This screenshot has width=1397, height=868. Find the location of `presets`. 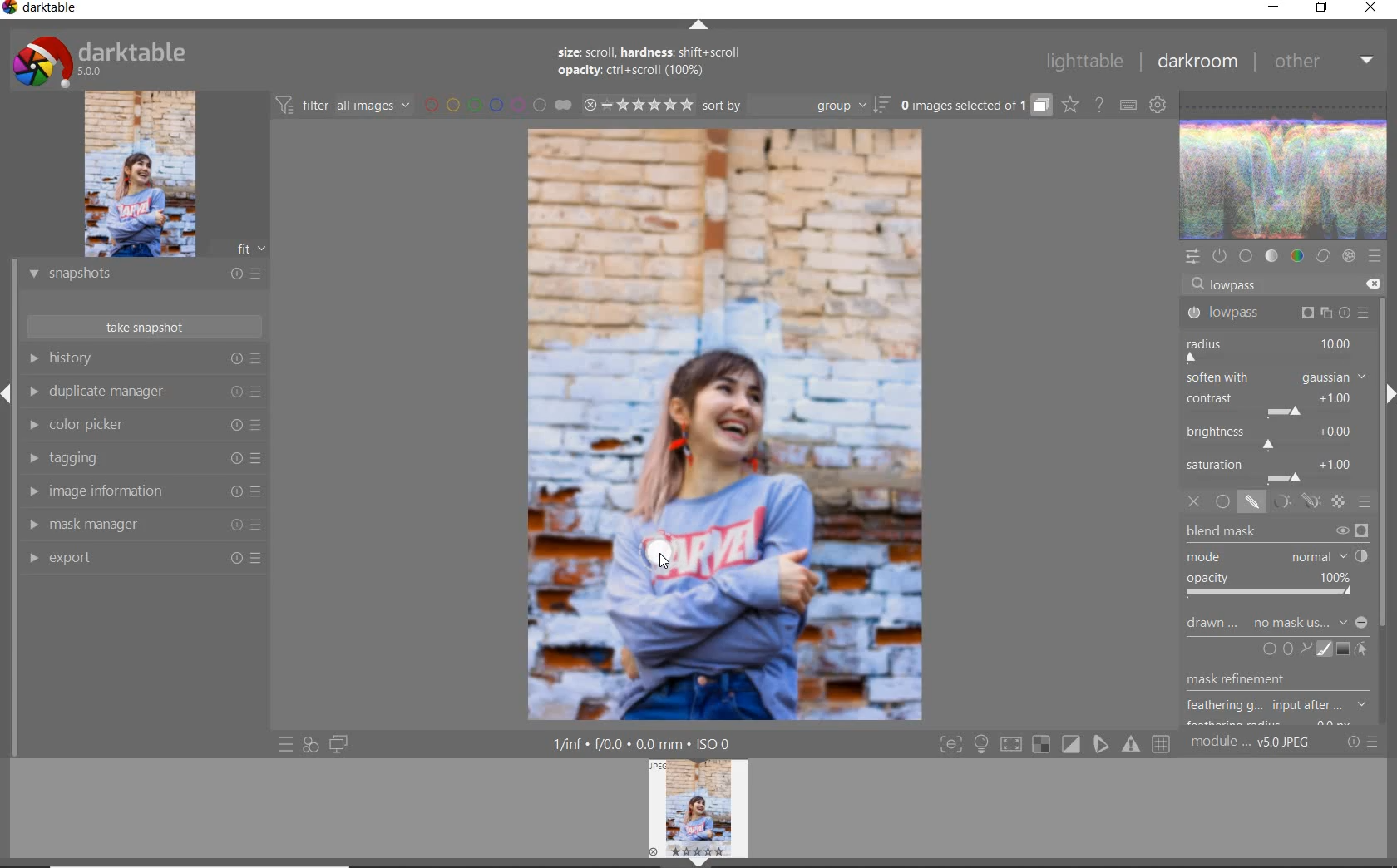

presets is located at coordinates (1375, 256).